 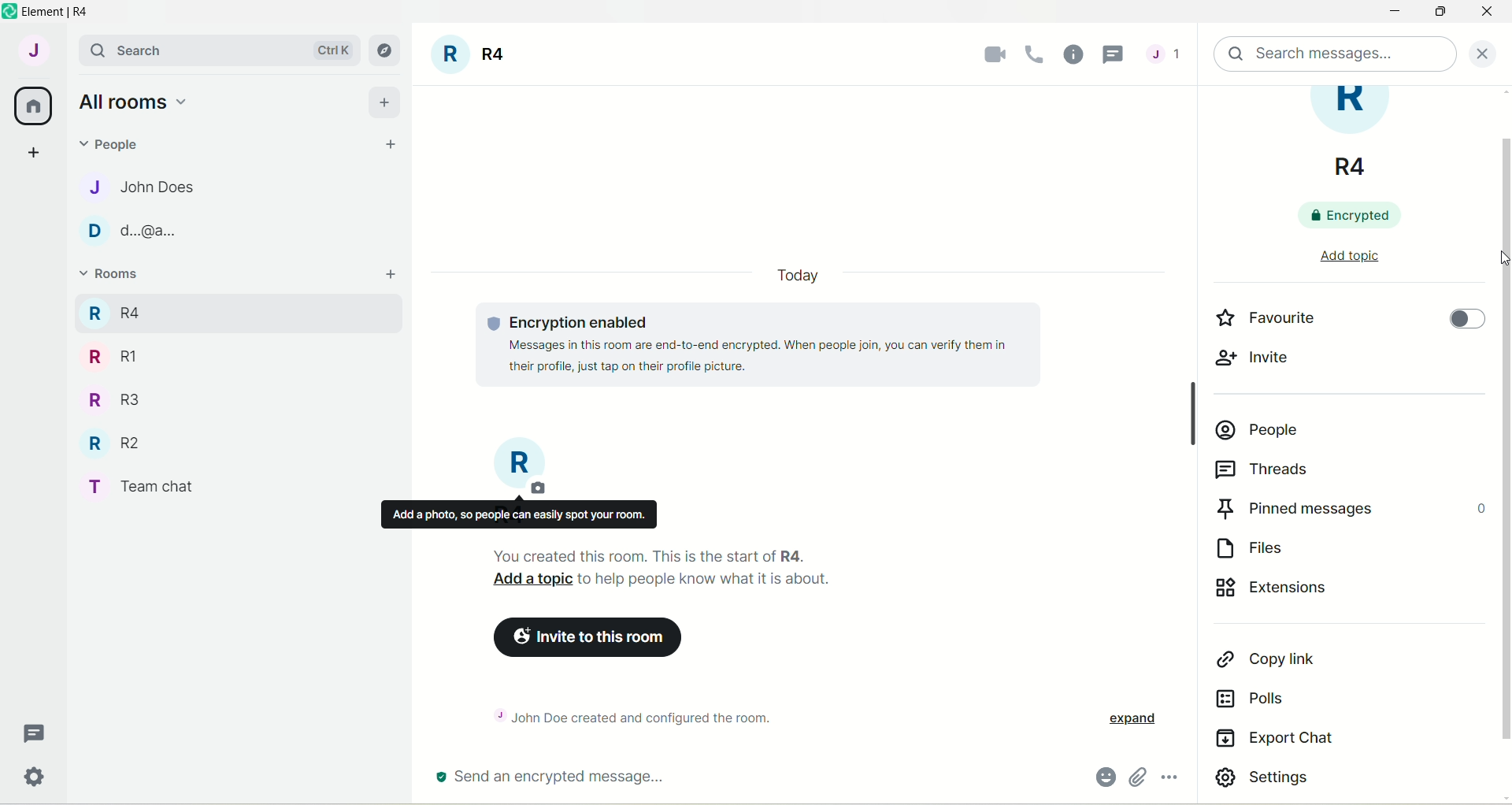 What do you see at coordinates (1075, 53) in the screenshot?
I see `room info` at bounding box center [1075, 53].